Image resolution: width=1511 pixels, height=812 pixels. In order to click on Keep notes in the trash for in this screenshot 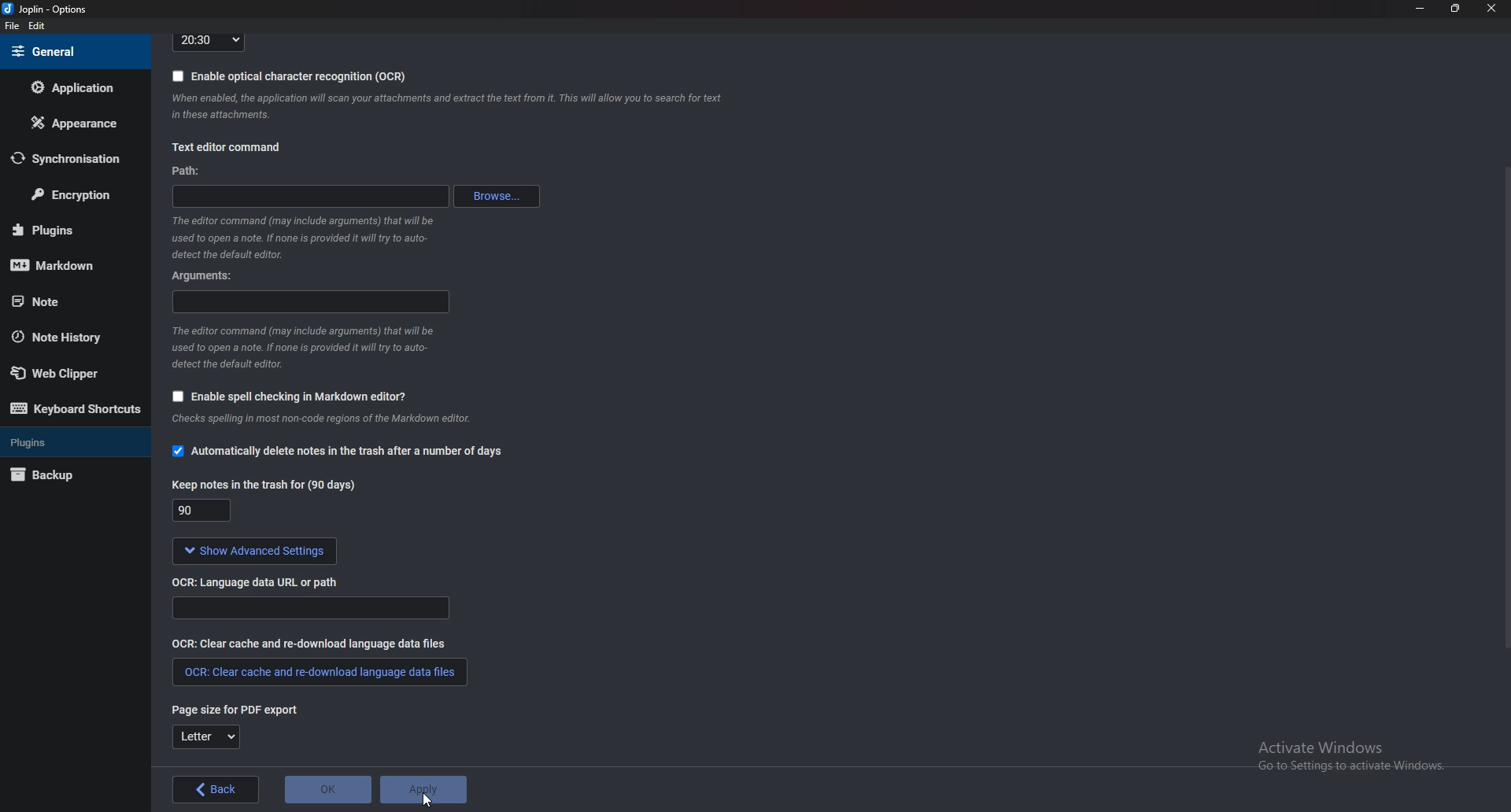, I will do `click(267, 484)`.